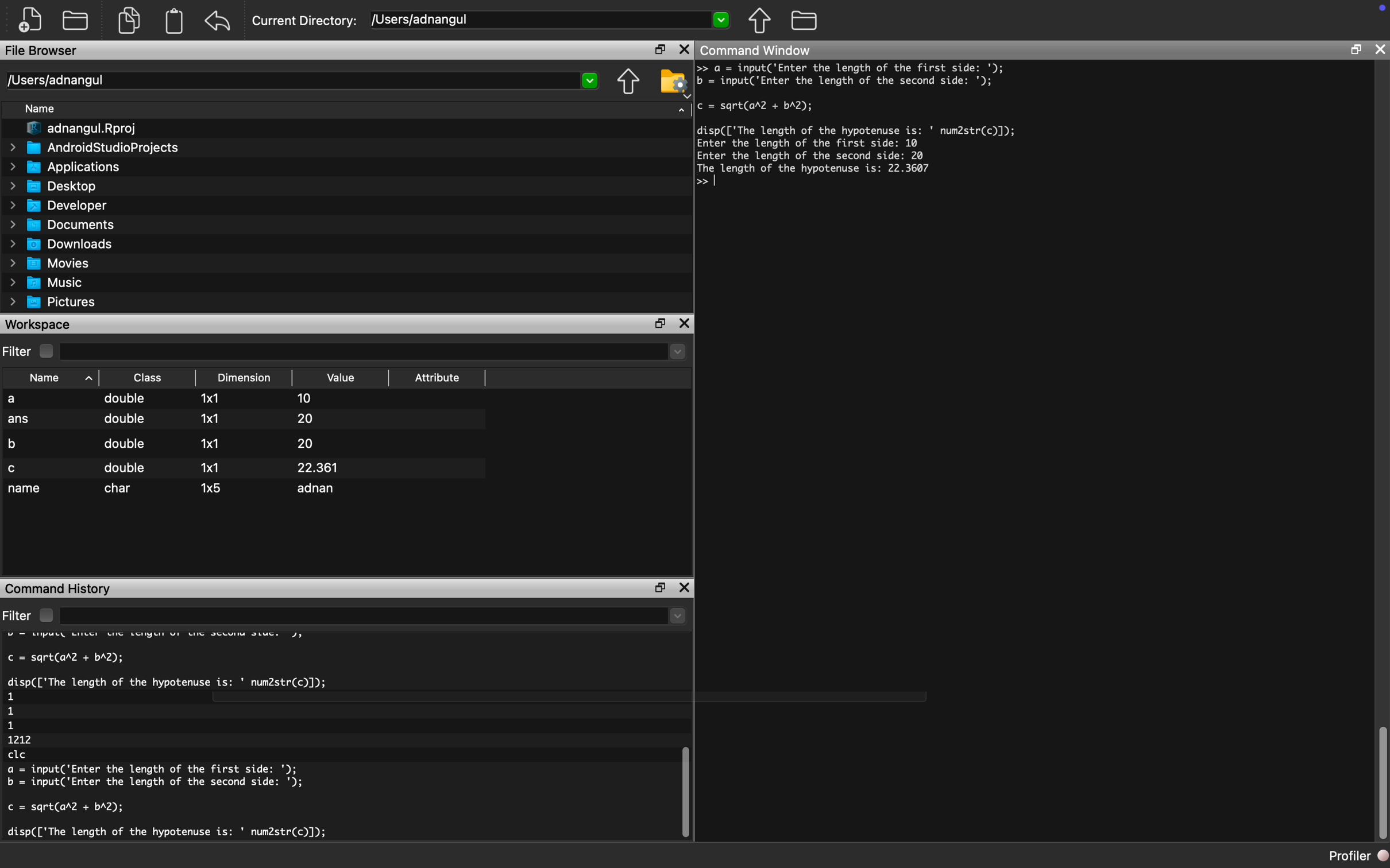 The height and width of the screenshot is (868, 1390). What do you see at coordinates (192, 739) in the screenshot?
I see `c = sqrt(arl + bA2);

disp(['The length of the hypotenuse is: ' num2str(c)]);
clc

a = input('Enter the length of the first side: ');

b = input('Enter the length of the second side: ');

c = sqrt(ar2 + bA2);

disp(['The length of the hypotenuse is: ' num2str(c)]);
1

1

1

1212

clc` at bounding box center [192, 739].